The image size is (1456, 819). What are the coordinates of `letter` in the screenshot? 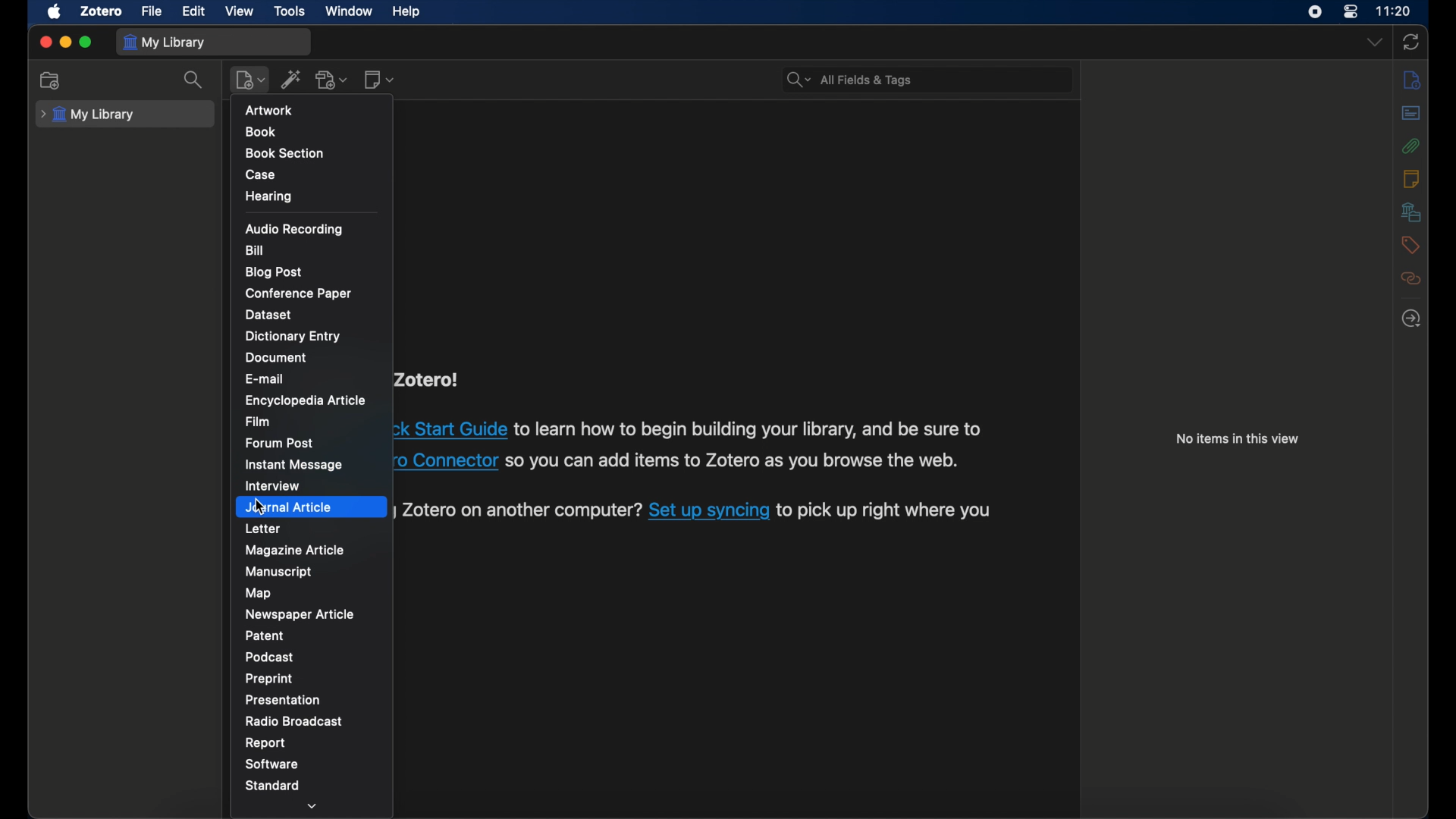 It's located at (263, 529).